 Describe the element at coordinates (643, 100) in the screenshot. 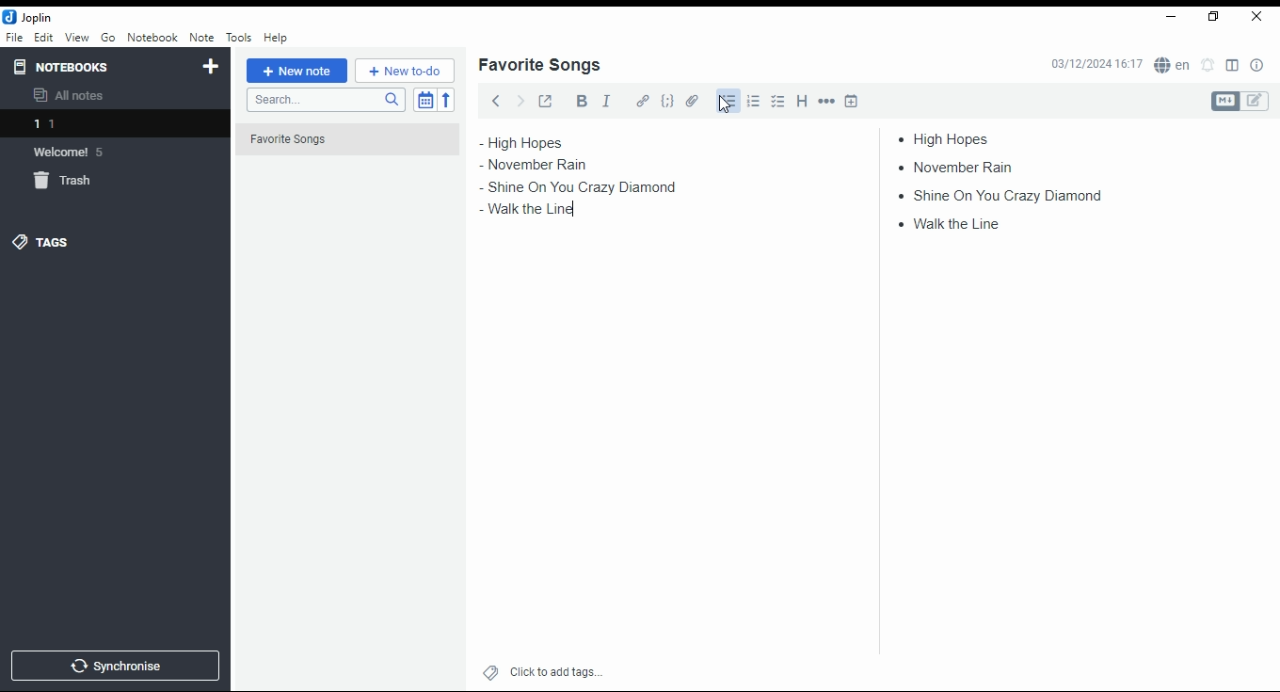

I see `hyperlink` at that location.